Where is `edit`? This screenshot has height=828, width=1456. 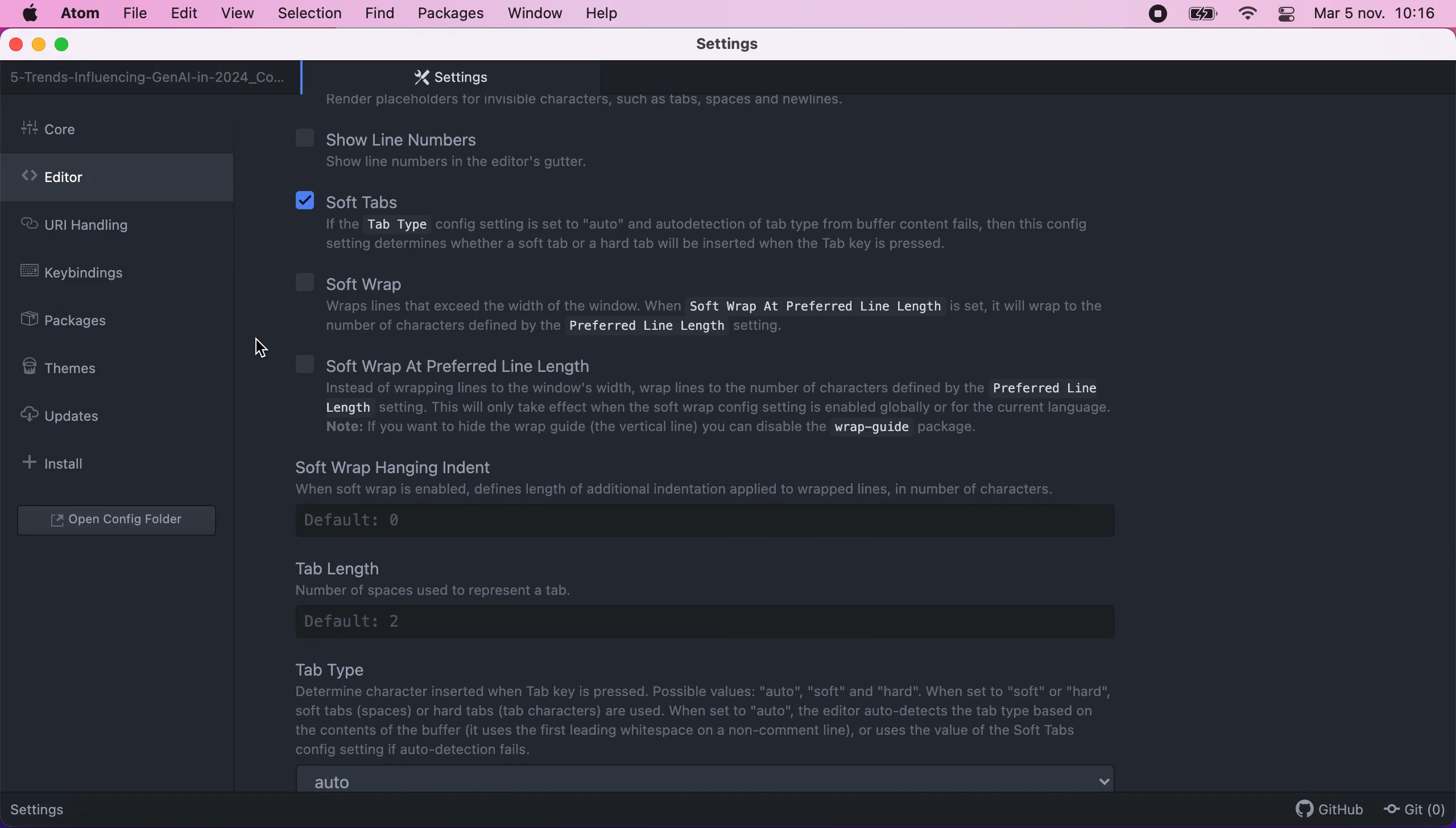
edit is located at coordinates (183, 14).